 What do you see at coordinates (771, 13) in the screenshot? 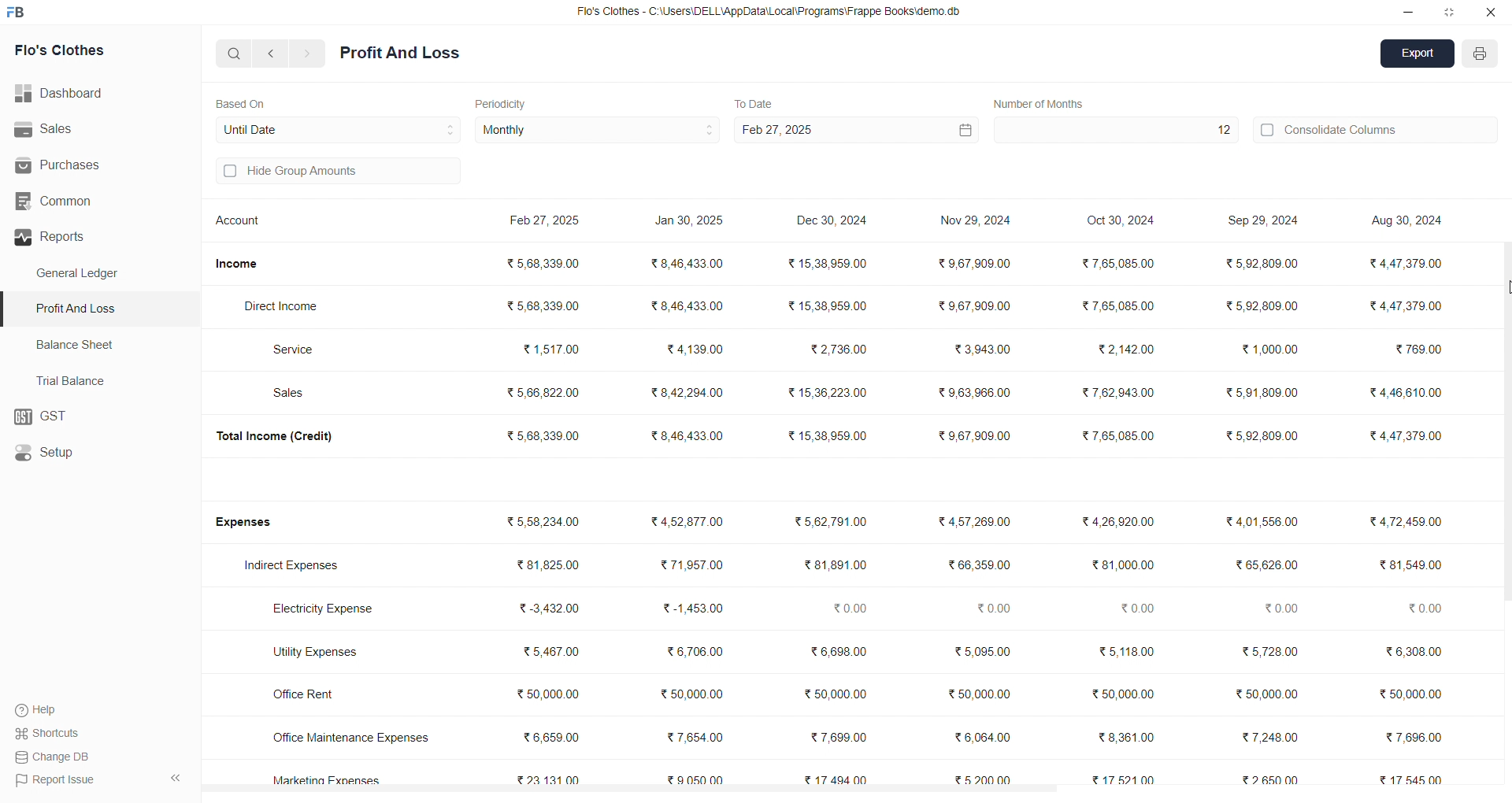
I see `Flo's Clothes - C:\Users\DELL\AppDatalLocal\Programs\Frappe Booksidemo.db` at bounding box center [771, 13].